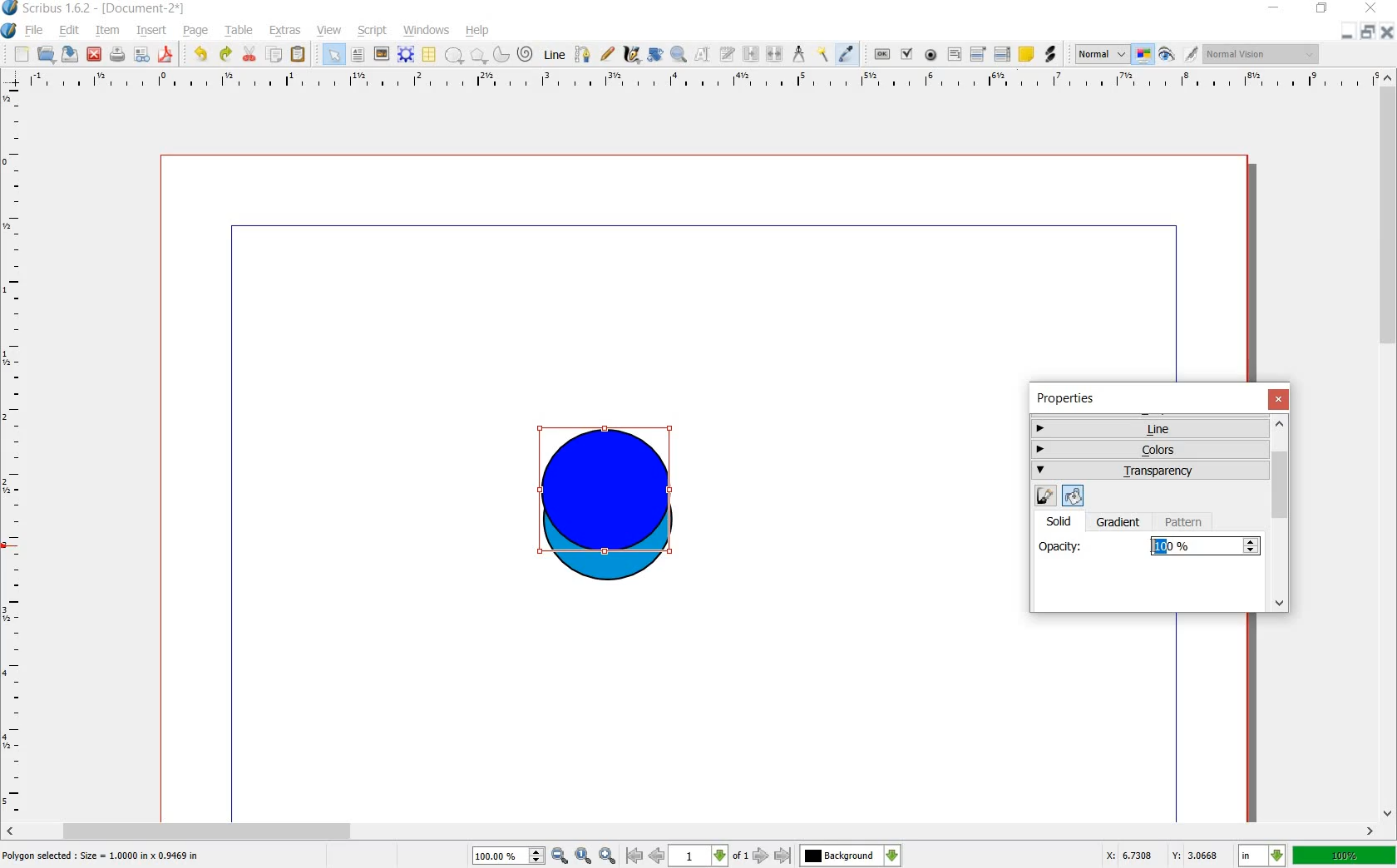 Image resolution: width=1397 pixels, height=868 pixels. Describe the element at coordinates (240, 31) in the screenshot. I see `table` at that location.